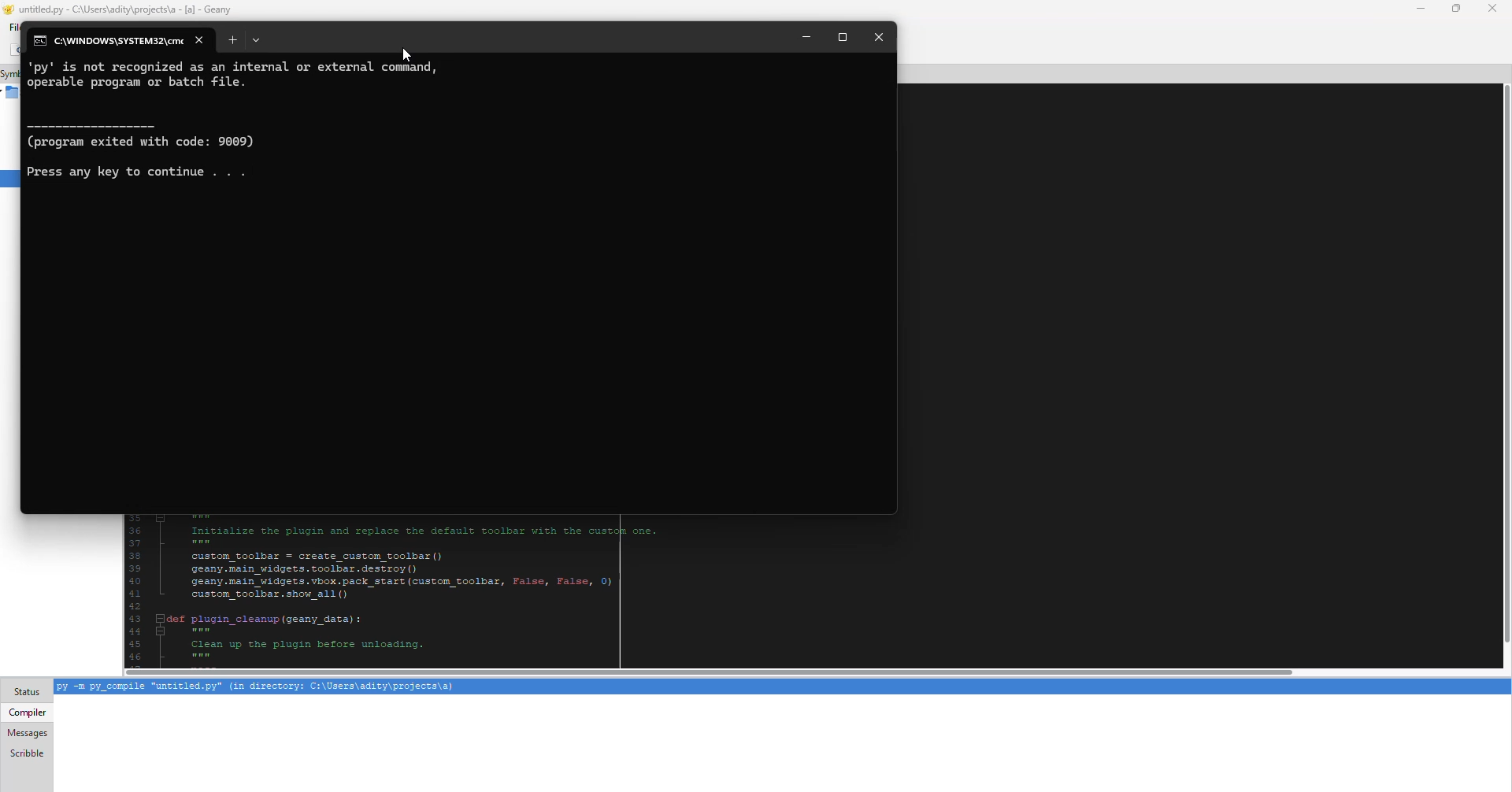 The image size is (1512, 792). Describe the element at coordinates (1493, 7) in the screenshot. I see `close` at that location.